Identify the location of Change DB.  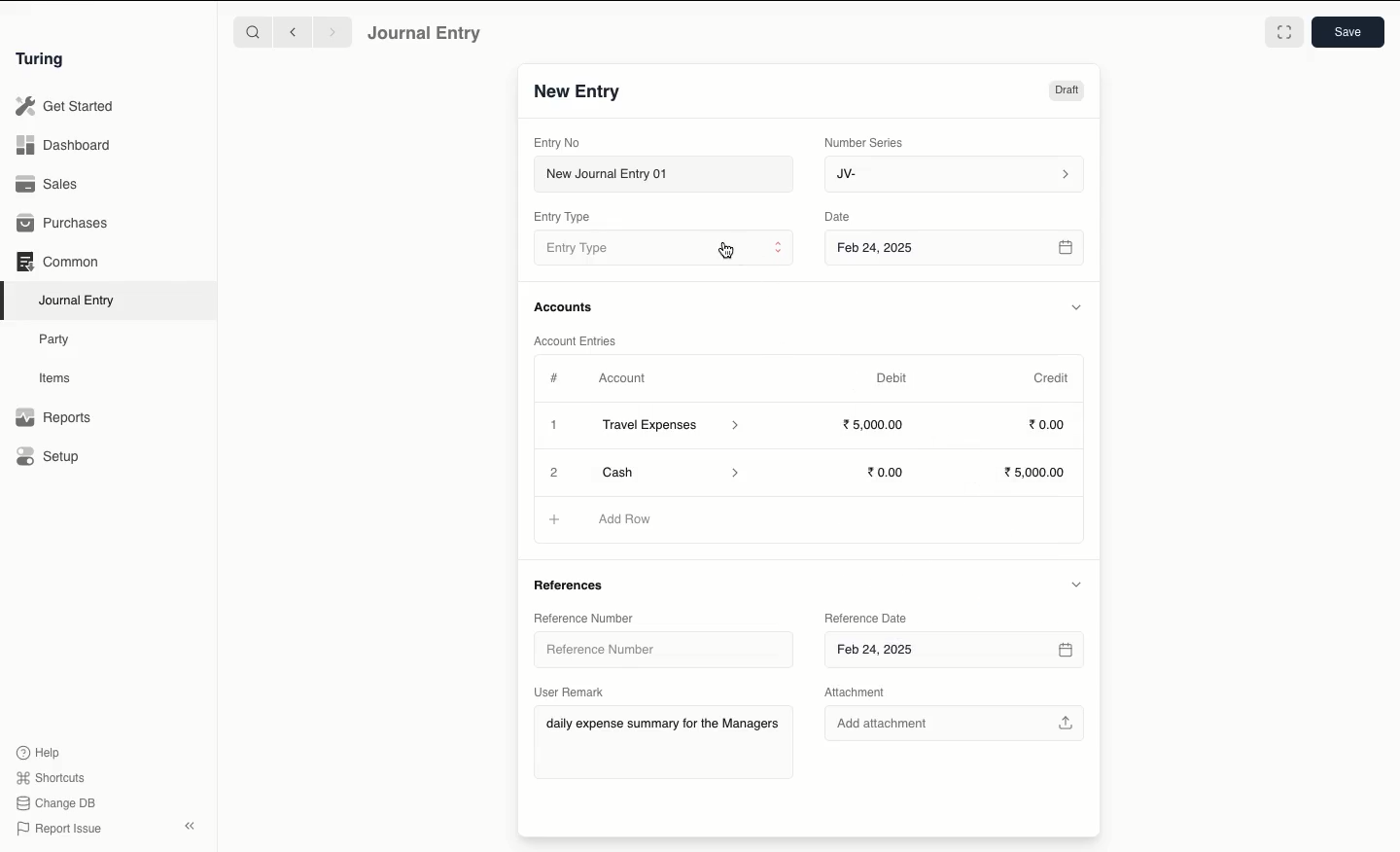
(55, 803).